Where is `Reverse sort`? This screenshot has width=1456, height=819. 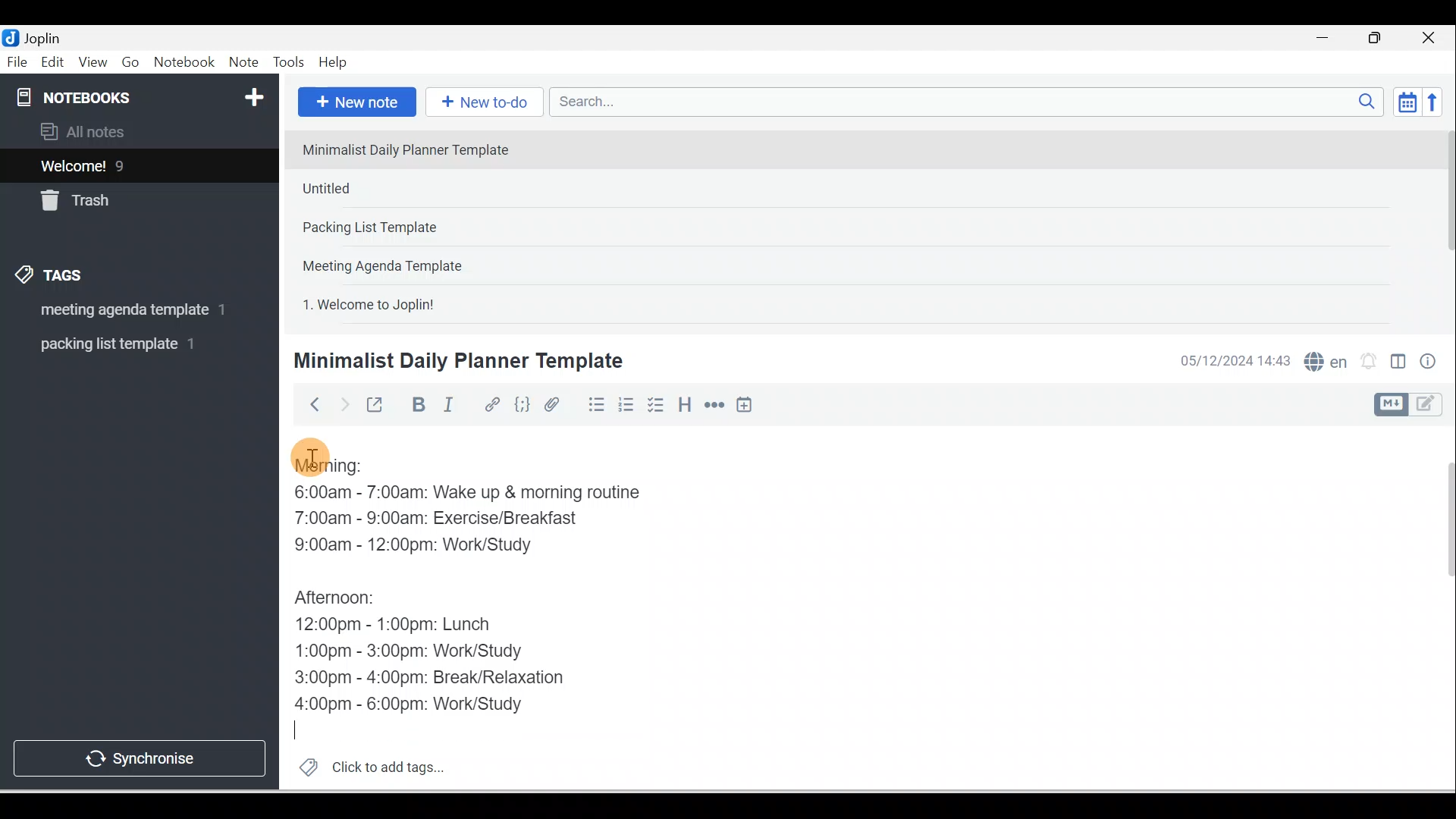
Reverse sort is located at coordinates (1437, 102).